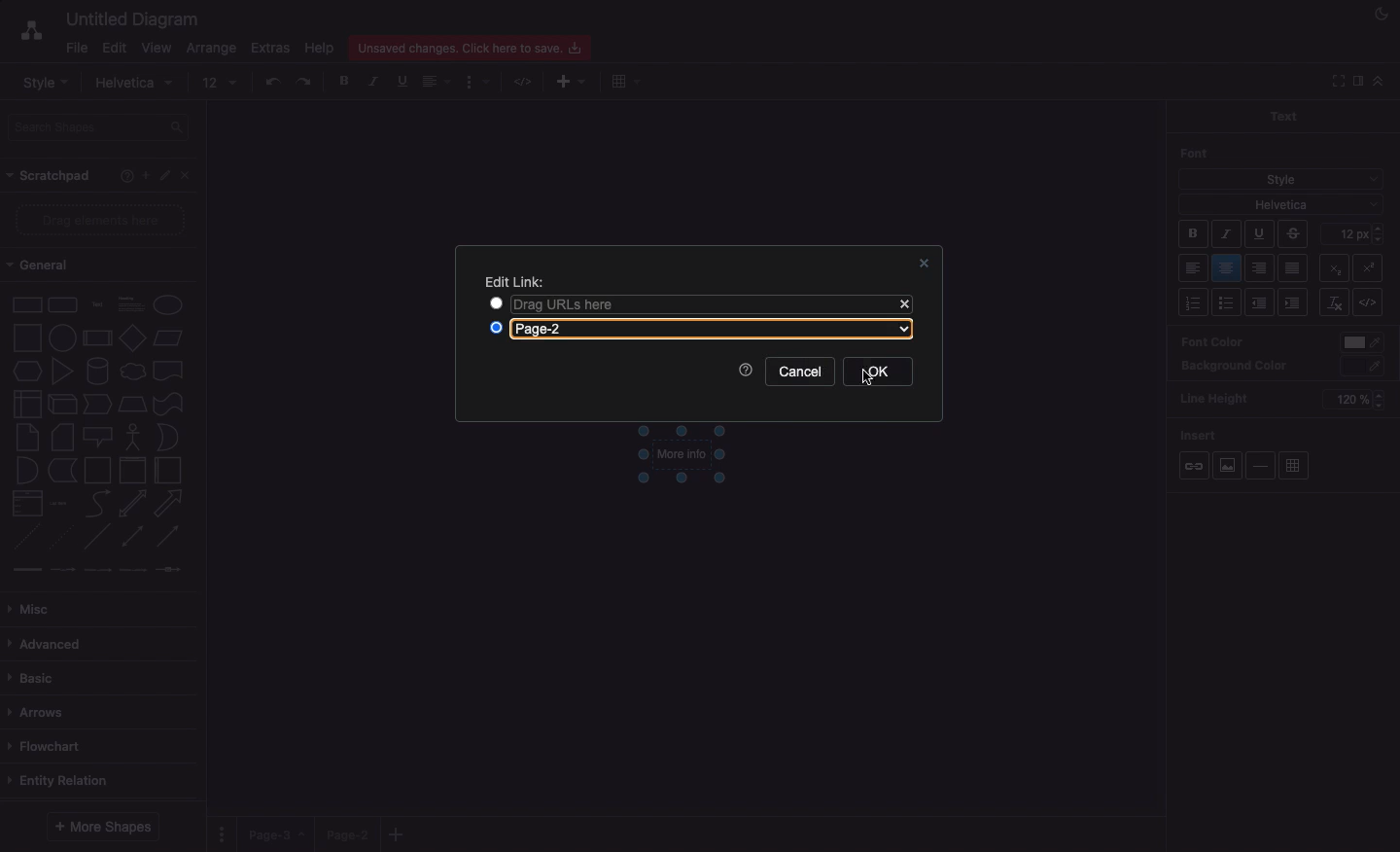 Image resolution: width=1400 pixels, height=852 pixels. I want to click on HTML, so click(525, 83).